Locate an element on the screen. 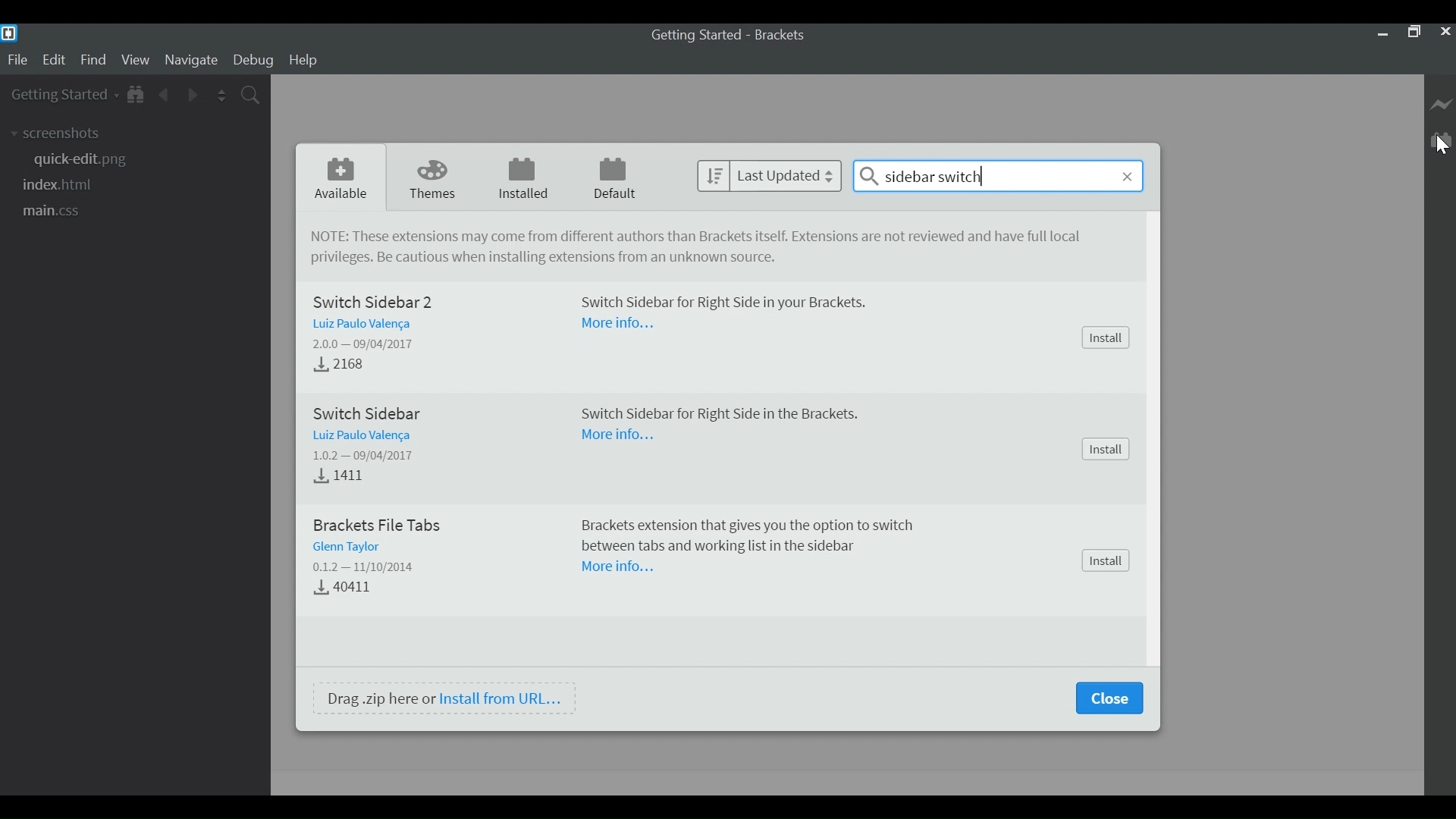 The height and width of the screenshot is (819, 1456). More Information is located at coordinates (618, 323).